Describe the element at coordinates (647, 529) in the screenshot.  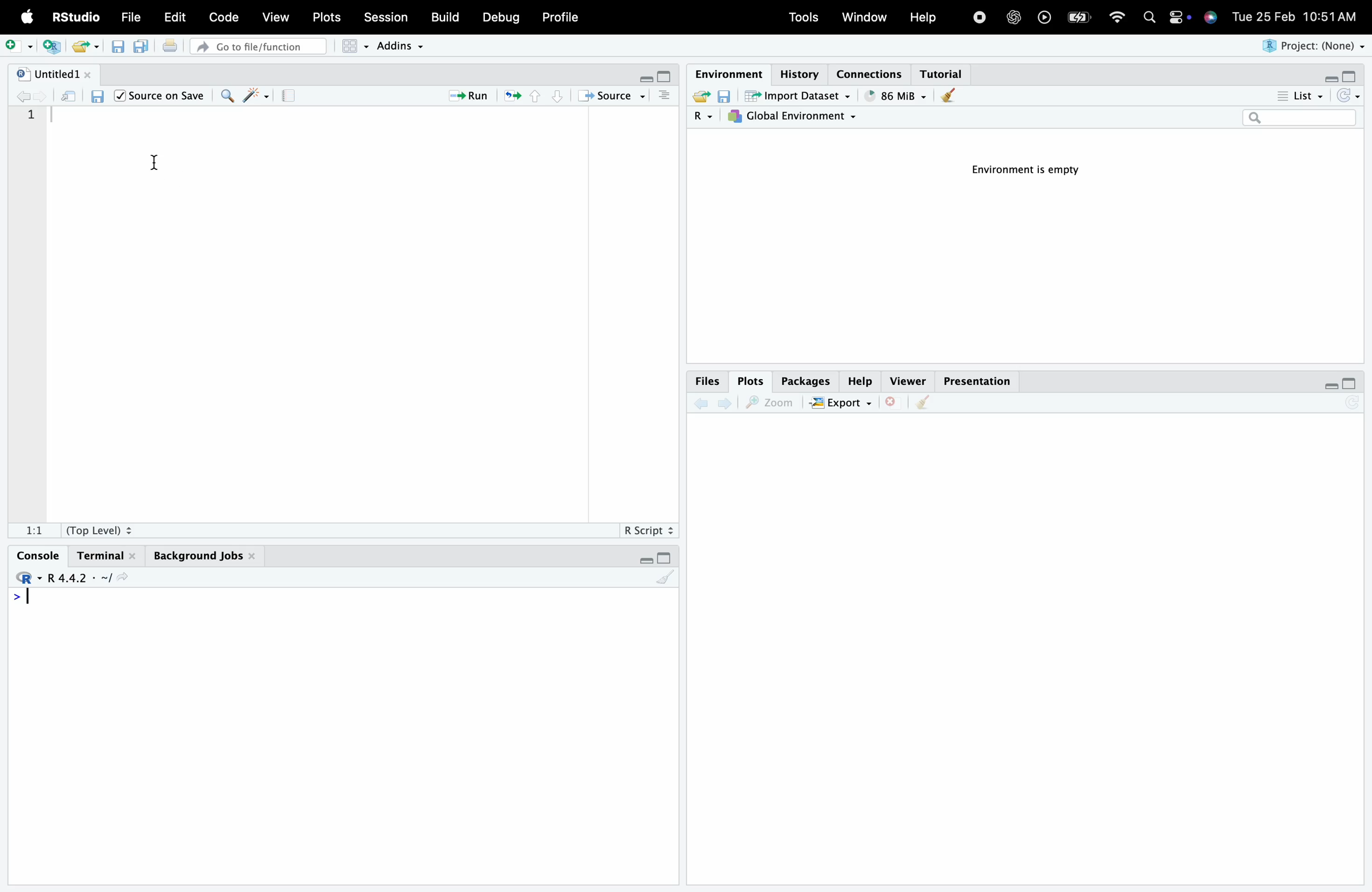
I see `R Script +` at that location.